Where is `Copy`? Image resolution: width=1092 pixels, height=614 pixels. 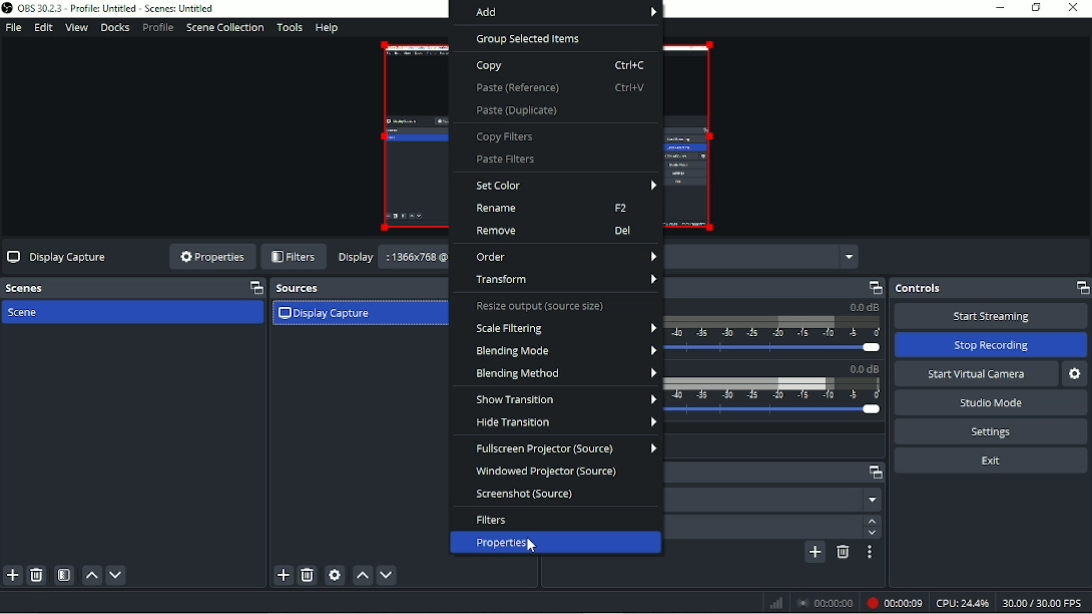
Copy is located at coordinates (560, 65).